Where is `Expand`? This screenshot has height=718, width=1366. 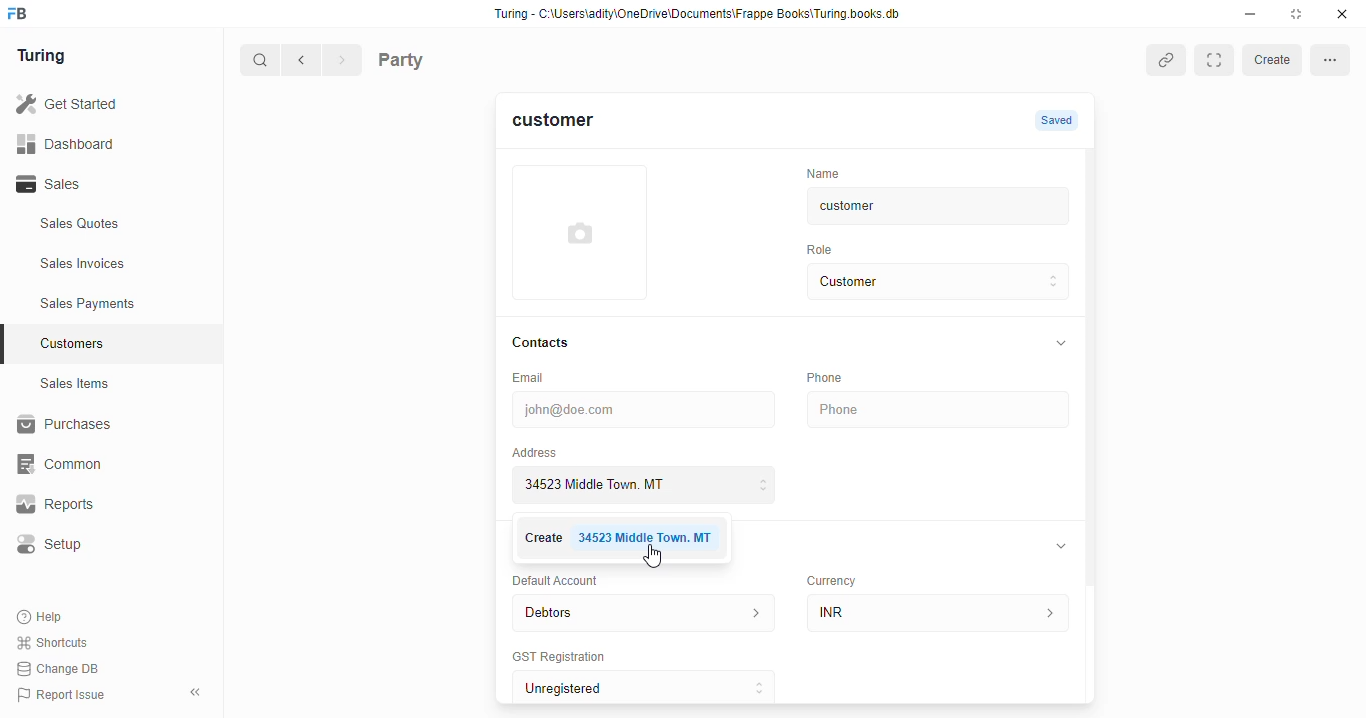
Expand is located at coordinates (1213, 60).